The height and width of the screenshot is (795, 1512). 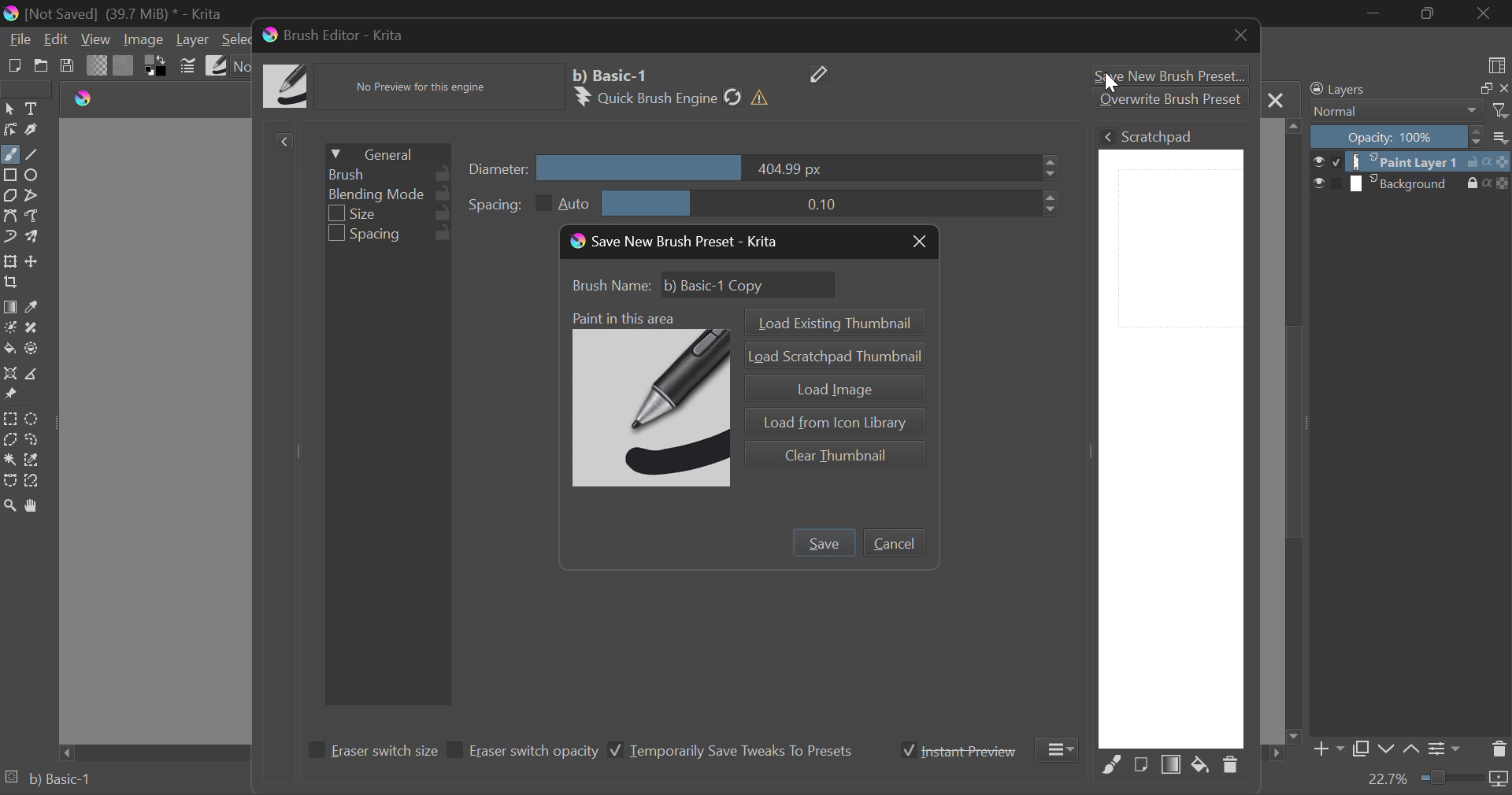 What do you see at coordinates (19, 39) in the screenshot?
I see `File` at bounding box center [19, 39].